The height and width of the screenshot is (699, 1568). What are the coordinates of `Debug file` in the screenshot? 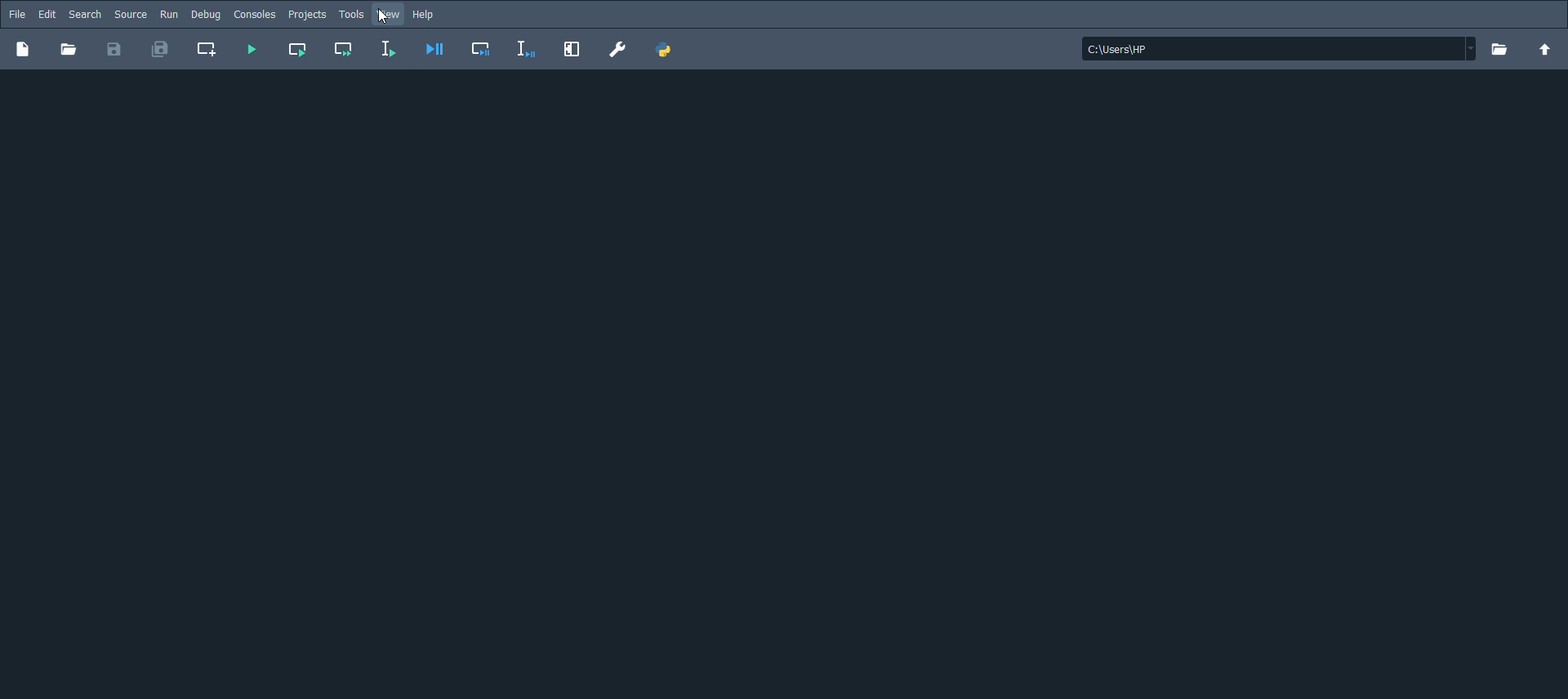 It's located at (434, 50).